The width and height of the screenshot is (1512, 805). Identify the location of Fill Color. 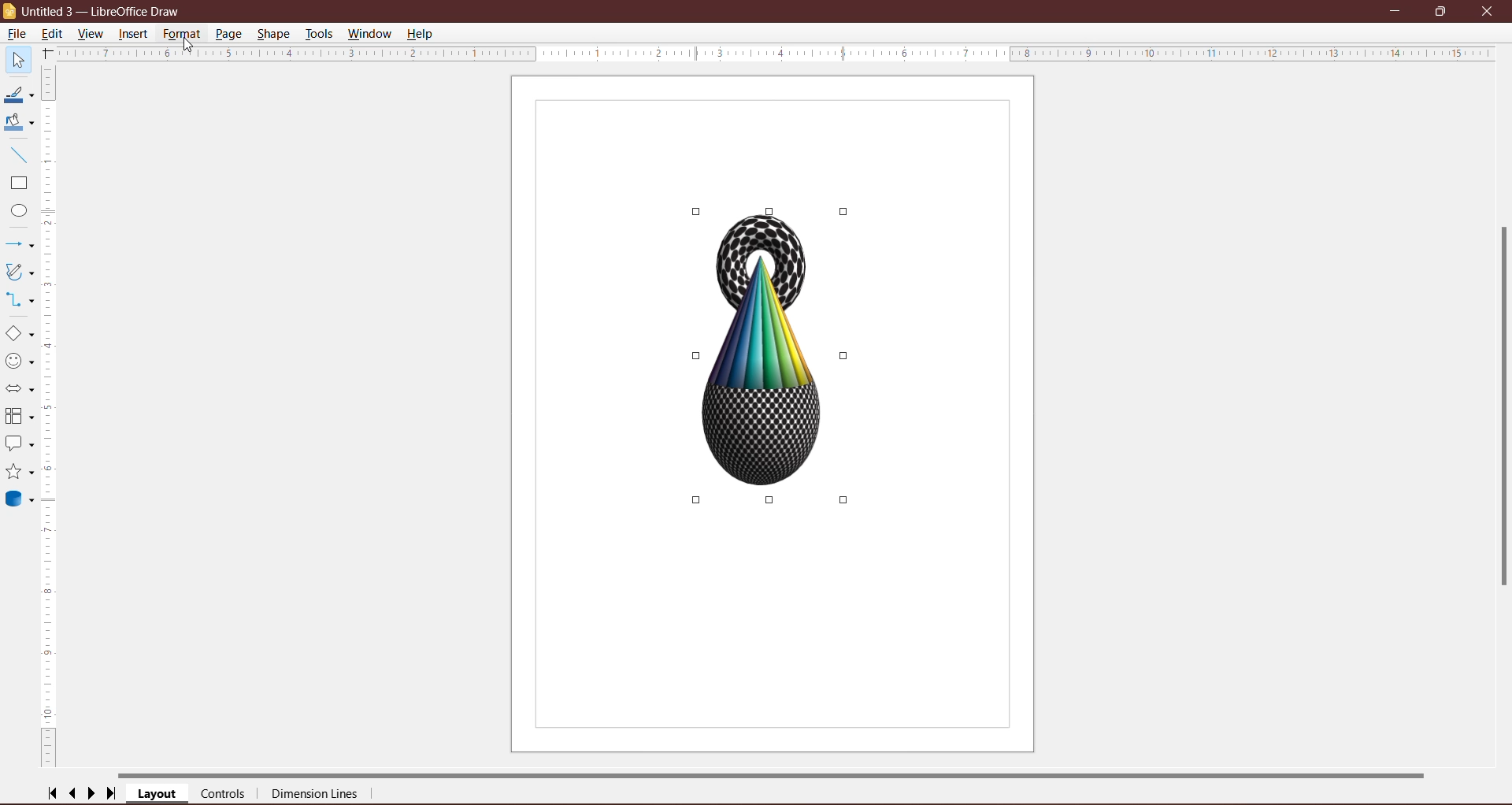
(18, 124).